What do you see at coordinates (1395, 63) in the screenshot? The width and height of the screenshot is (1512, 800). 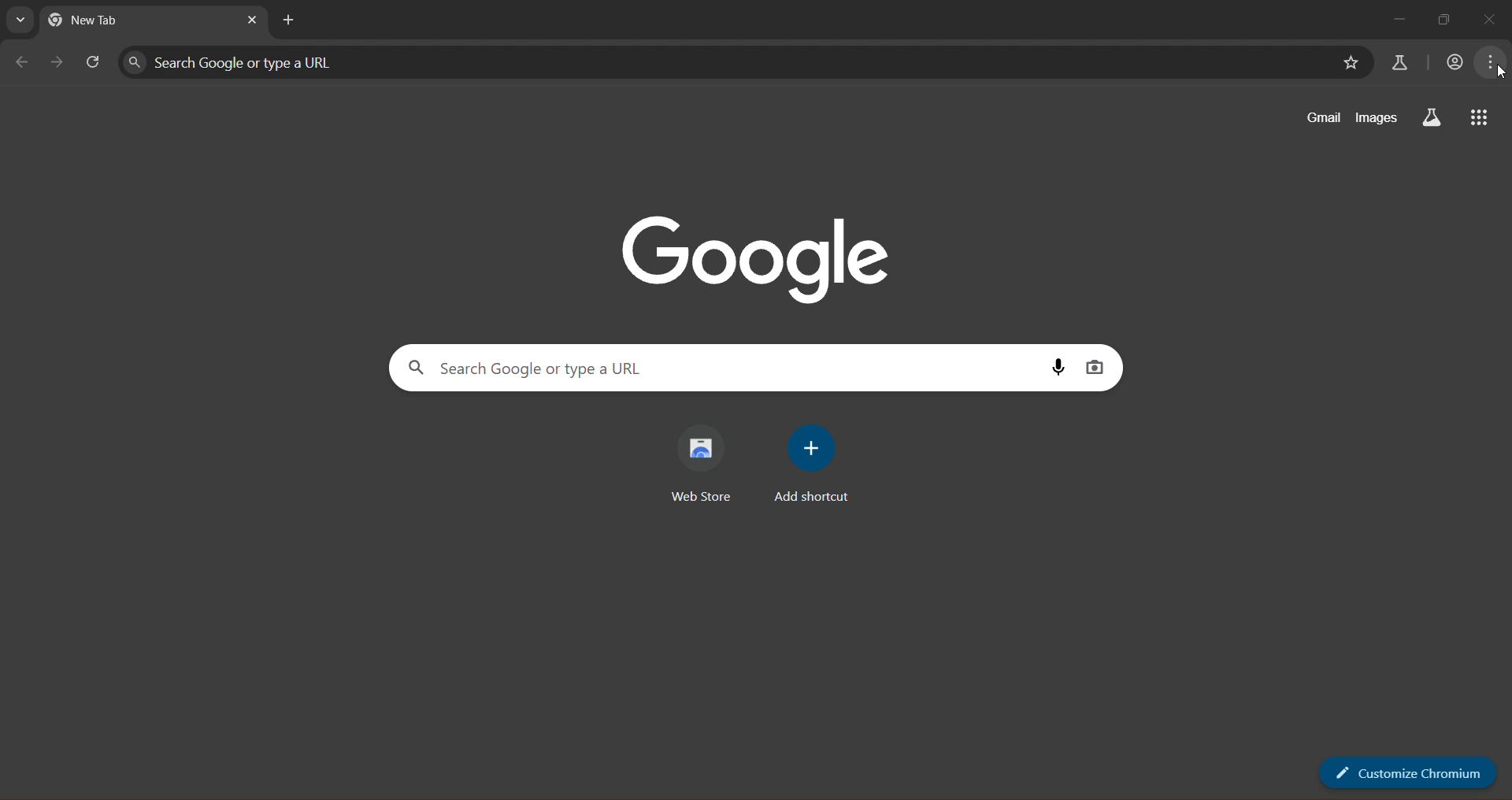 I see `search labs` at bounding box center [1395, 63].